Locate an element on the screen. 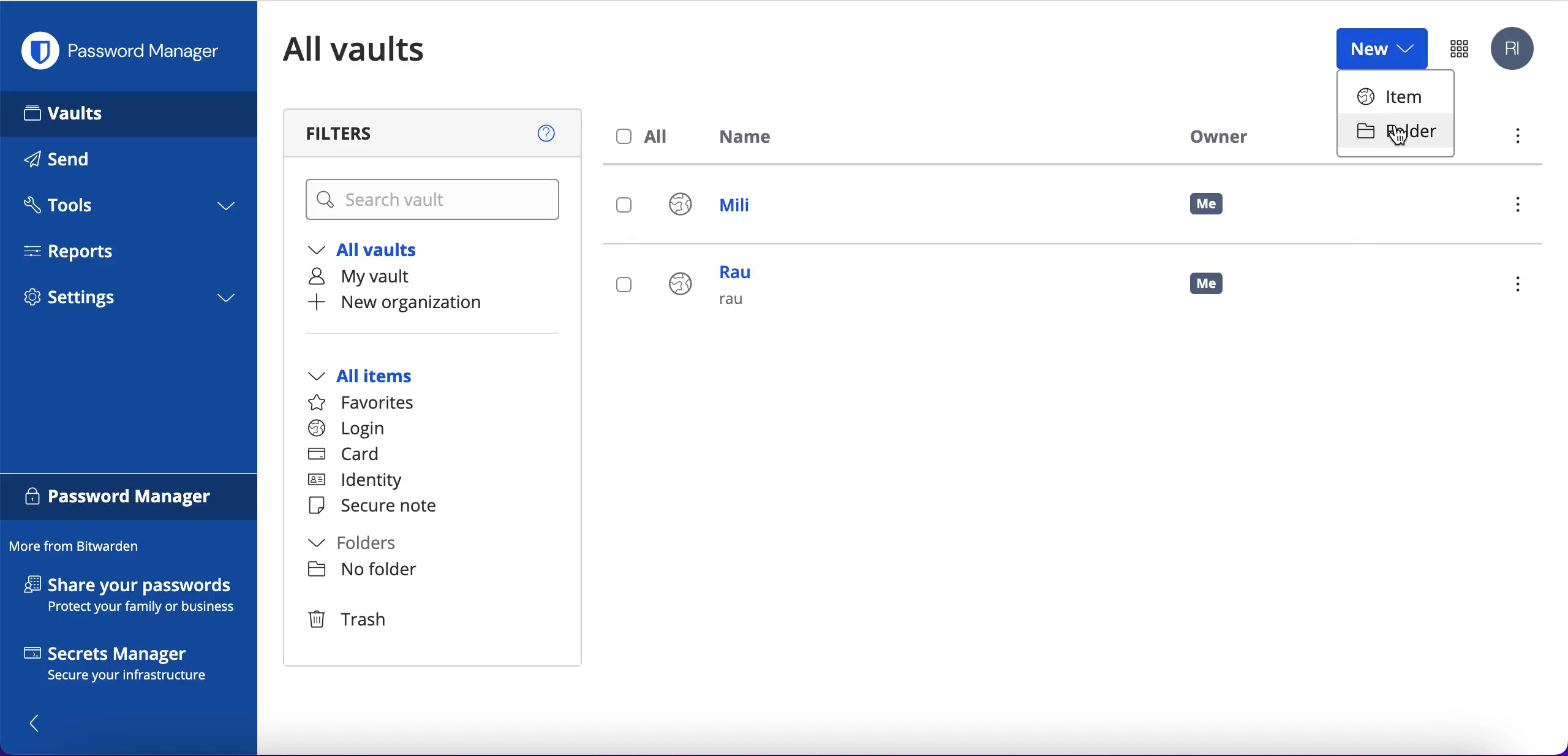  folder is located at coordinates (1395, 132).